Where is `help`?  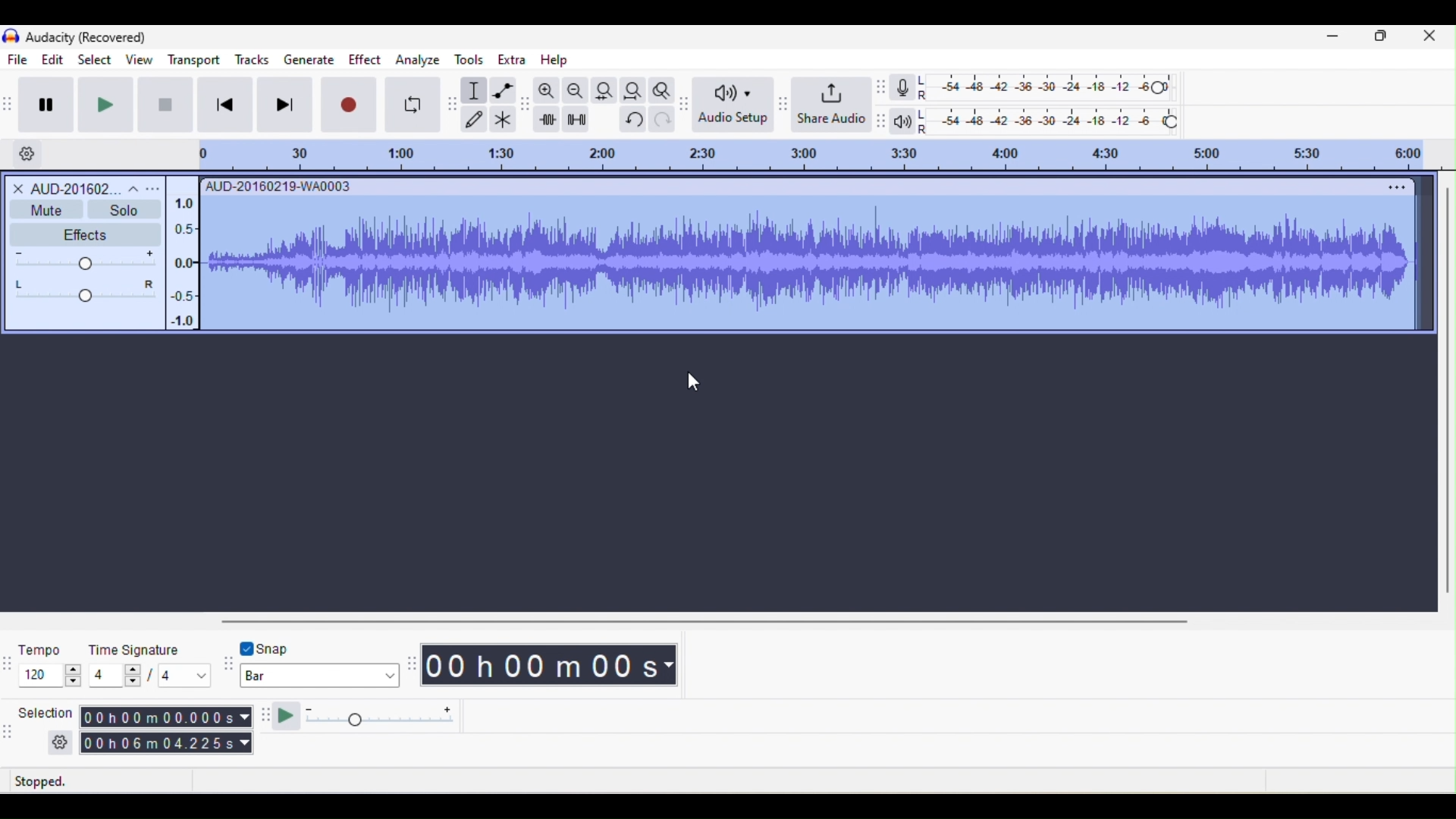
help is located at coordinates (552, 60).